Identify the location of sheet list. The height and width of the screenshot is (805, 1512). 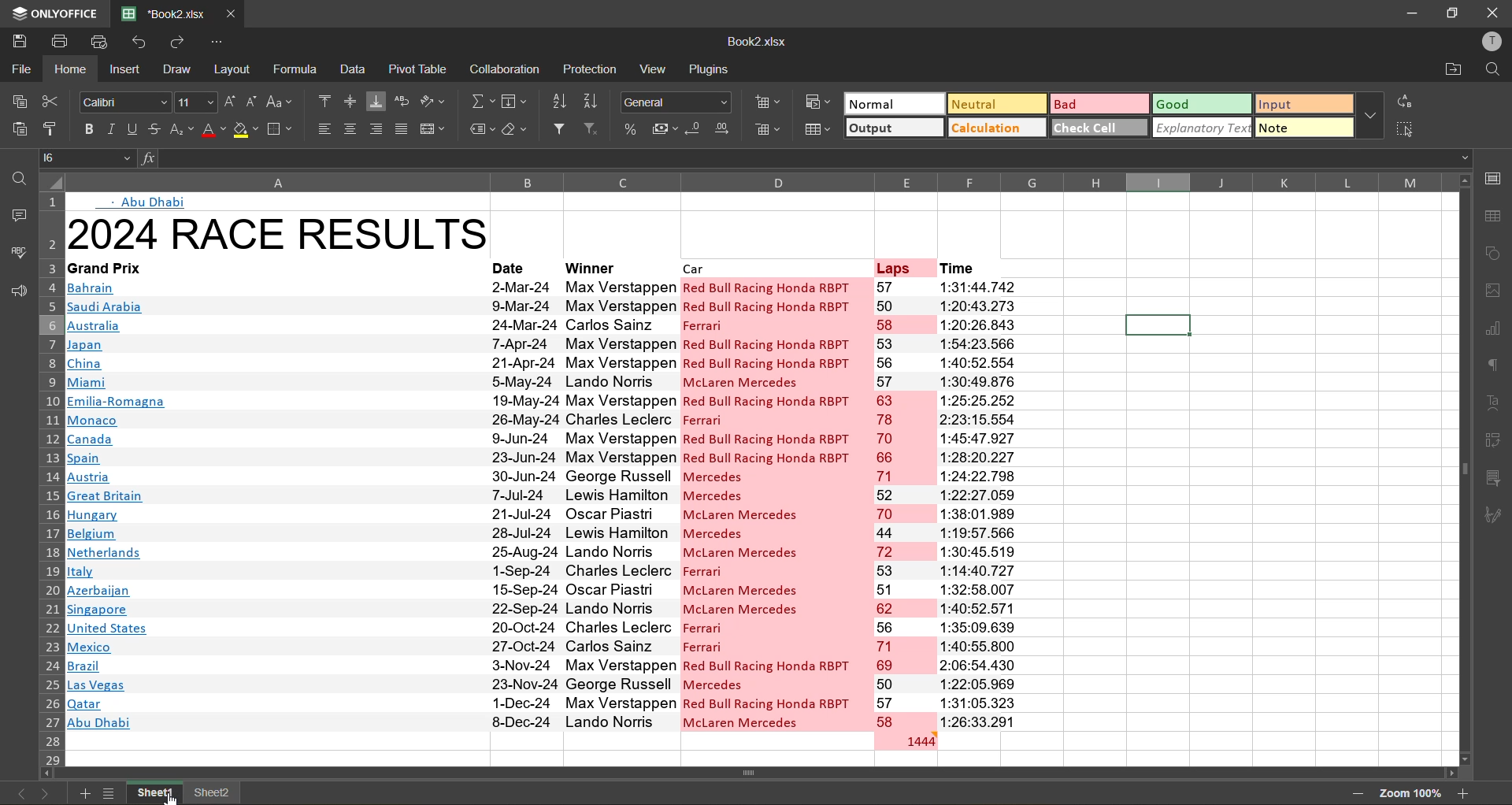
(109, 792).